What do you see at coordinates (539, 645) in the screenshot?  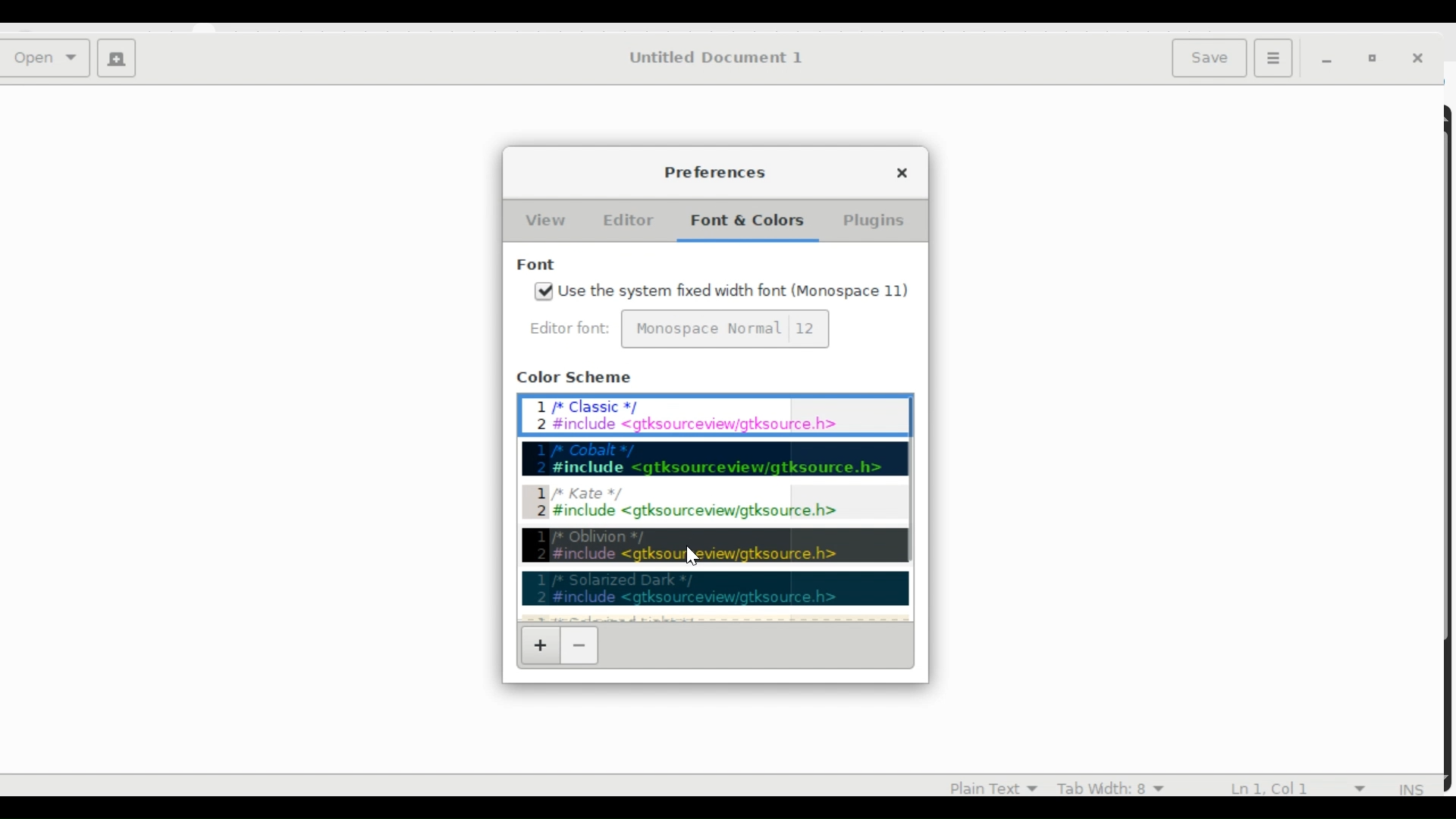 I see `Add a new color scheme` at bounding box center [539, 645].